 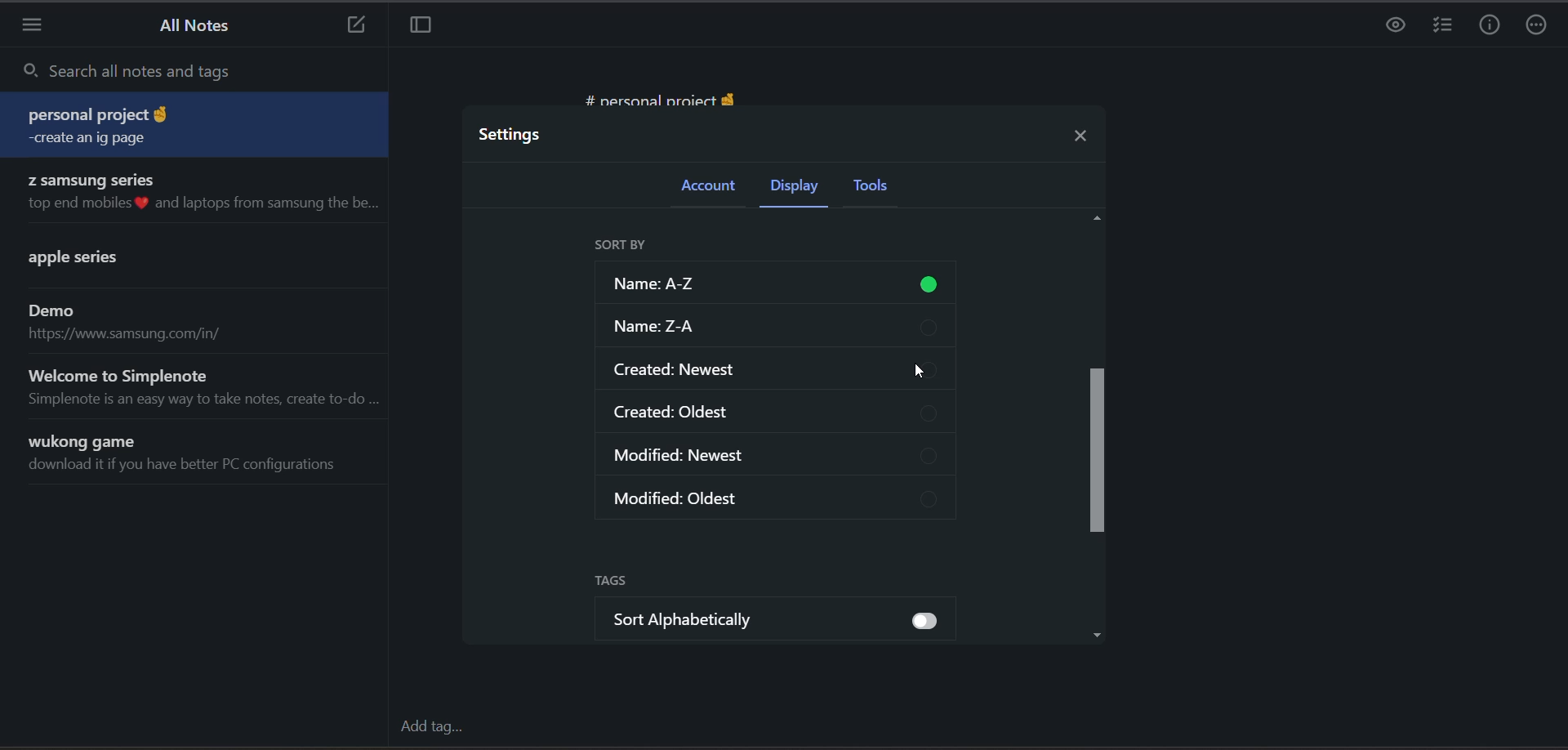 I want to click on menu, so click(x=35, y=29).